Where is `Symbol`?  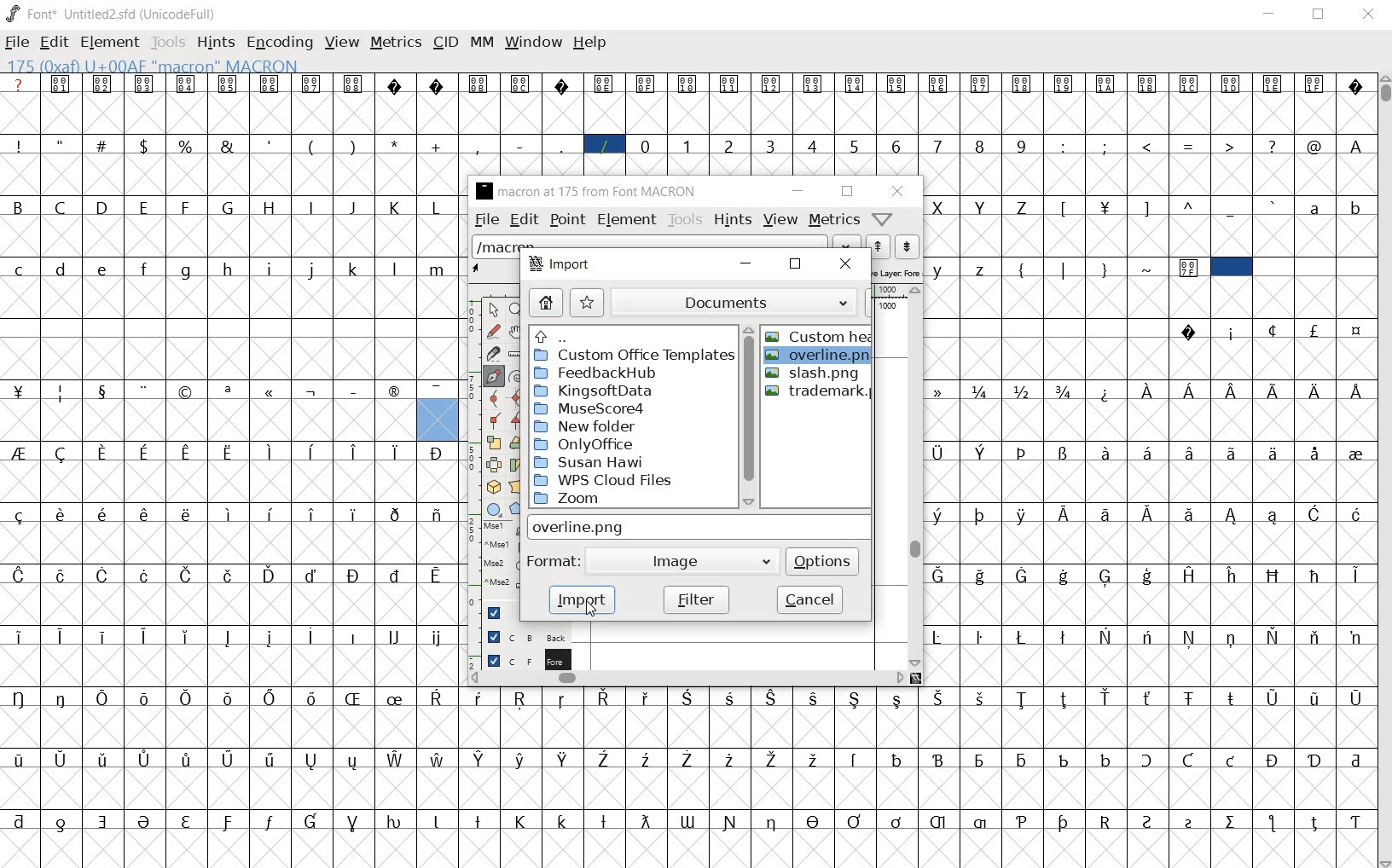
Symbol is located at coordinates (731, 823).